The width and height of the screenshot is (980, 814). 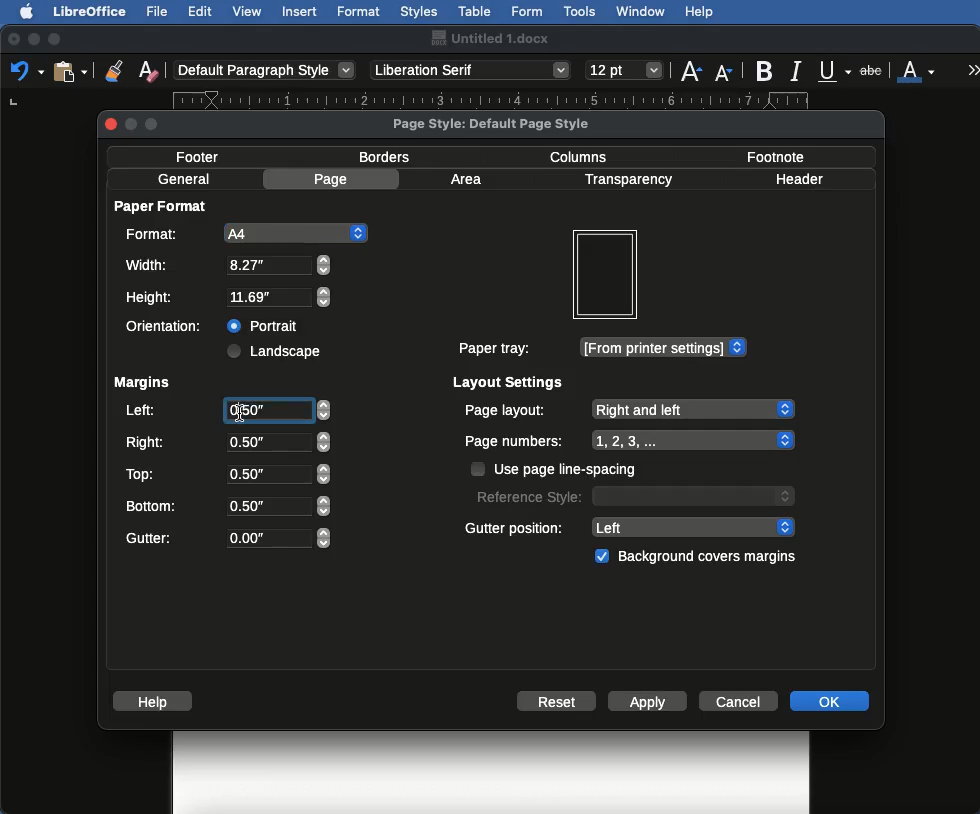 What do you see at coordinates (277, 351) in the screenshot?
I see `Landscape` at bounding box center [277, 351].